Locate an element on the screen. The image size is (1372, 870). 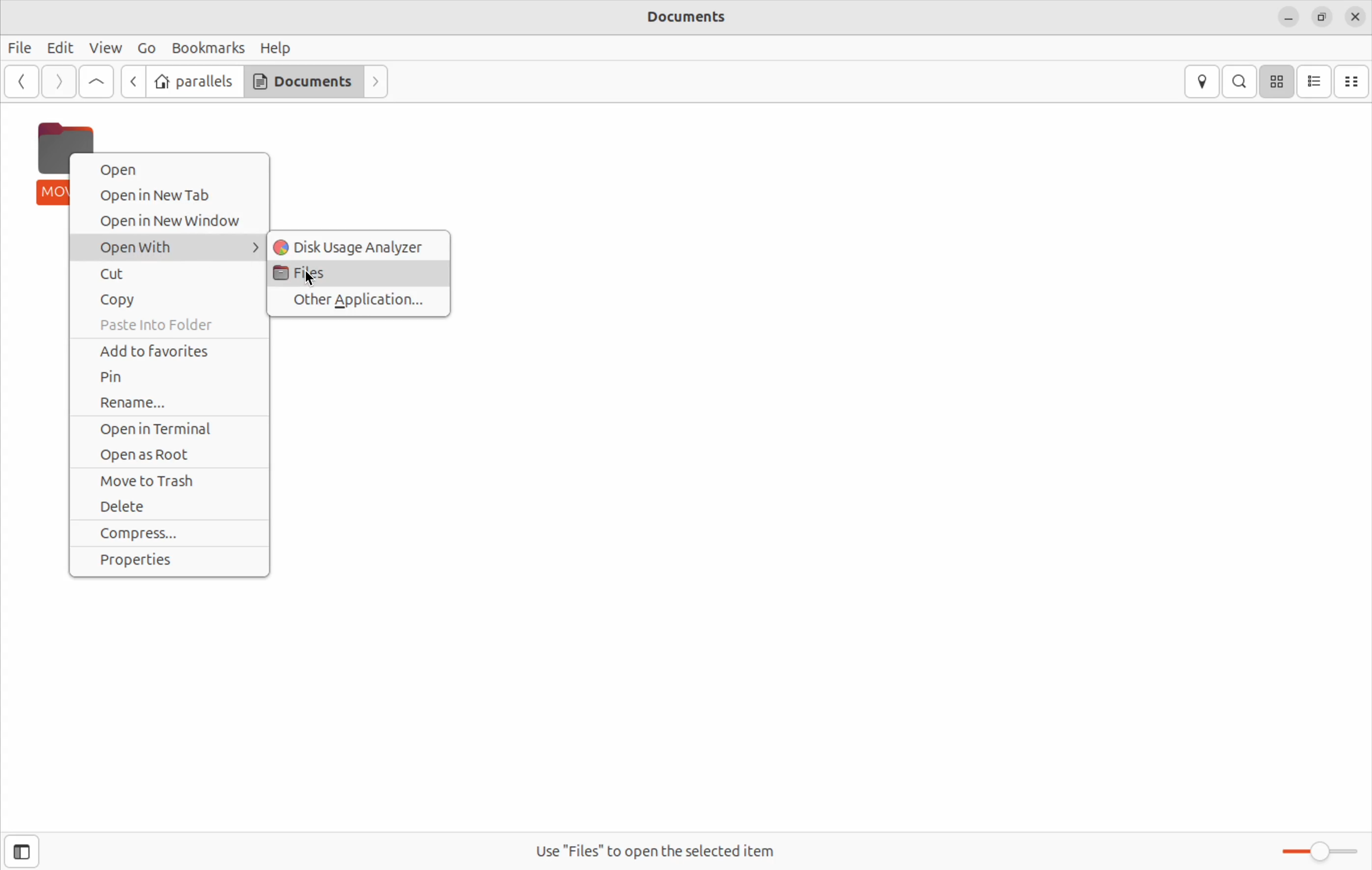
Compress is located at coordinates (170, 533).